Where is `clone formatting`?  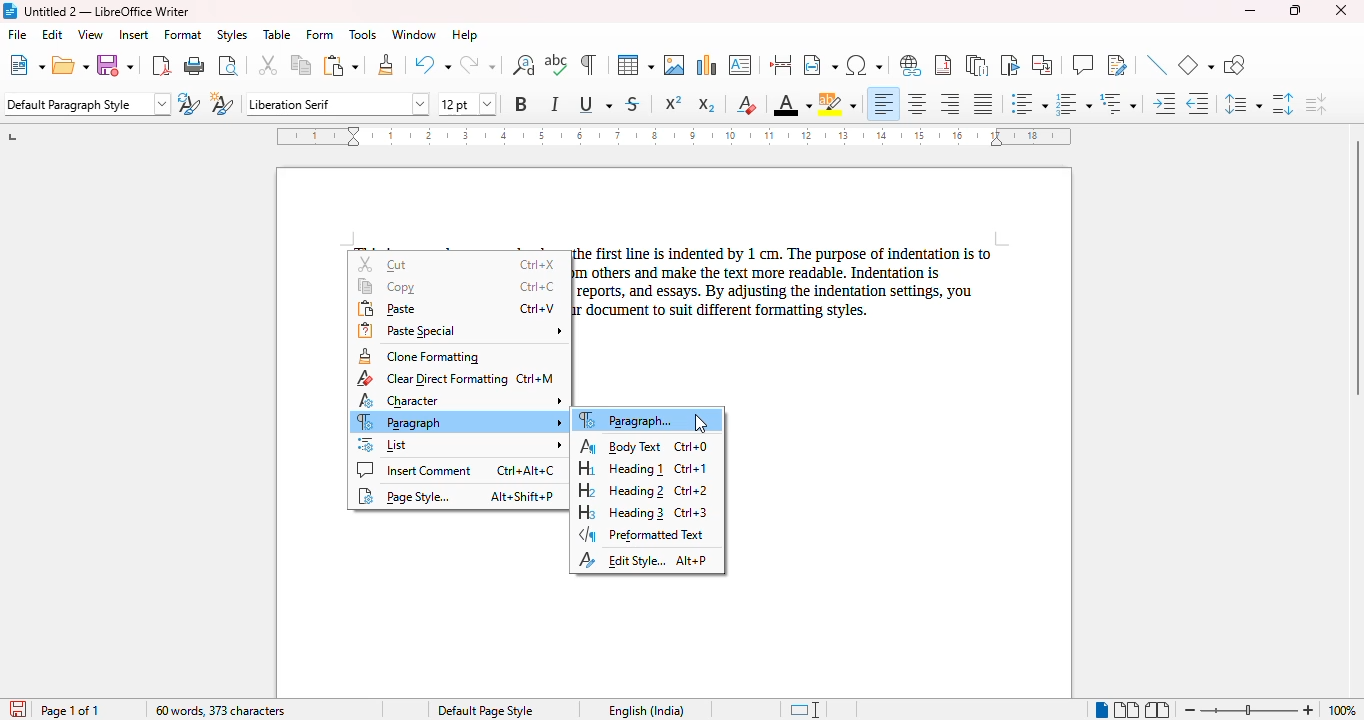
clone formatting is located at coordinates (385, 65).